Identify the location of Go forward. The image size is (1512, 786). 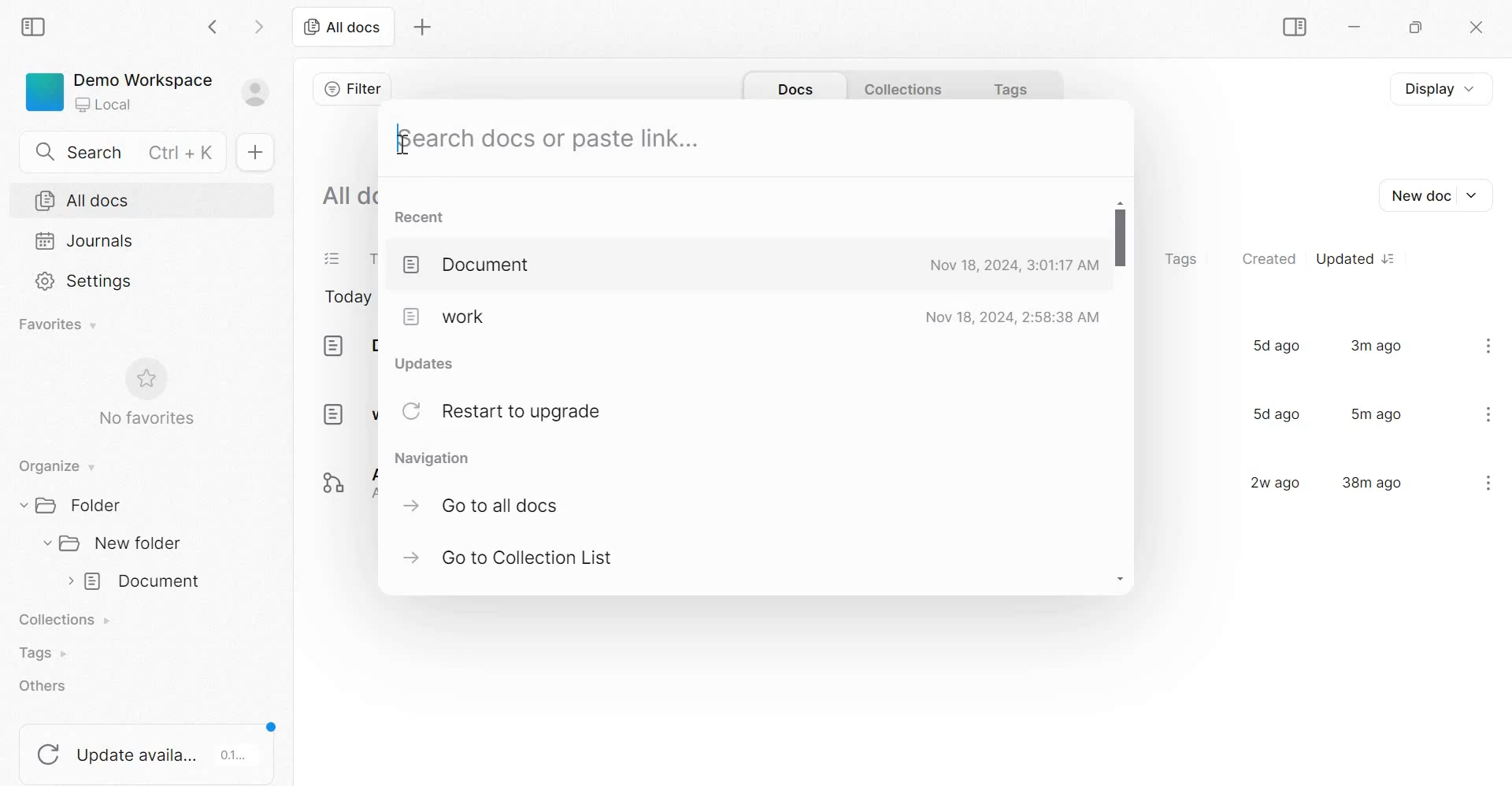
(259, 25).